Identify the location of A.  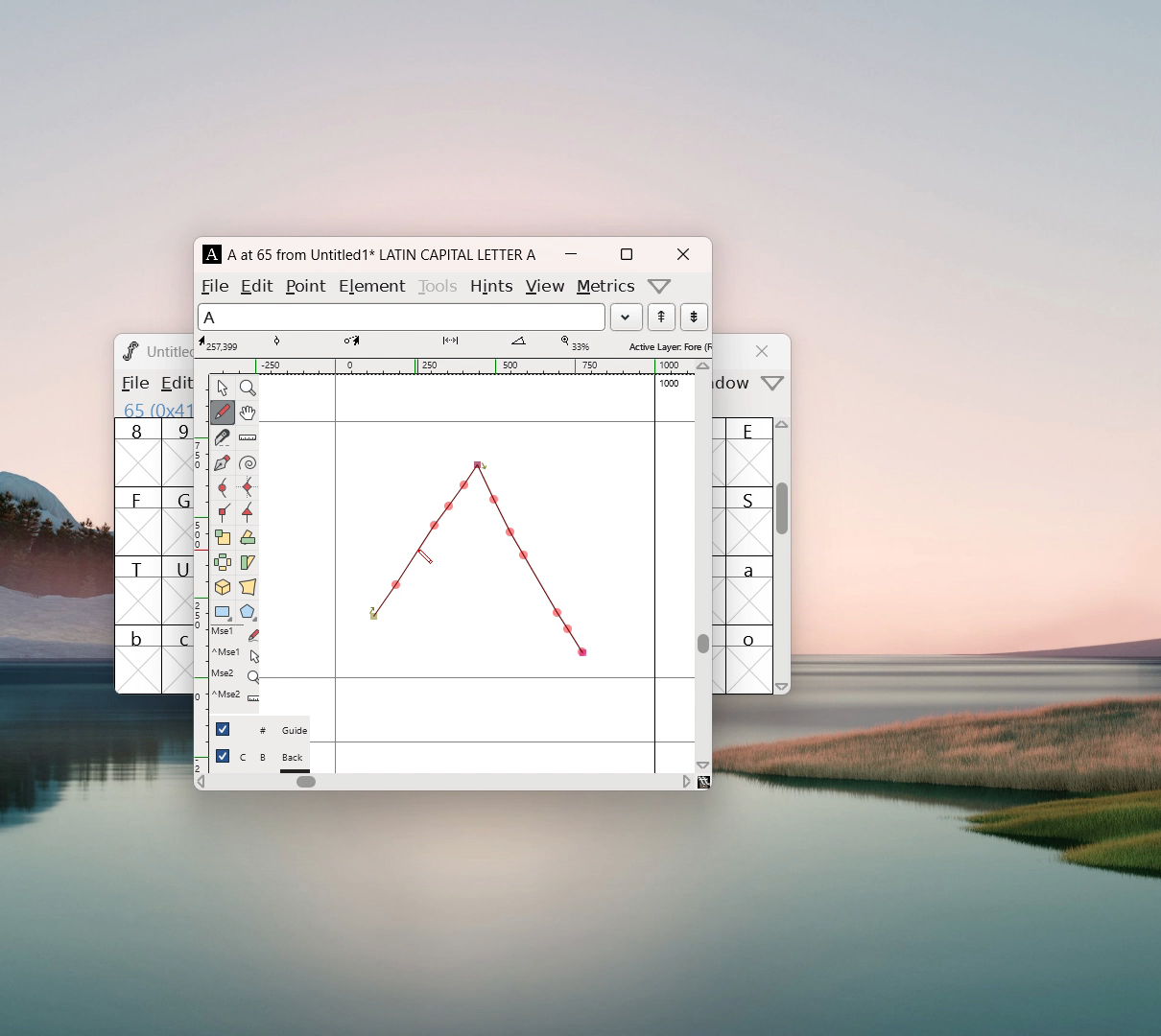
(213, 254).